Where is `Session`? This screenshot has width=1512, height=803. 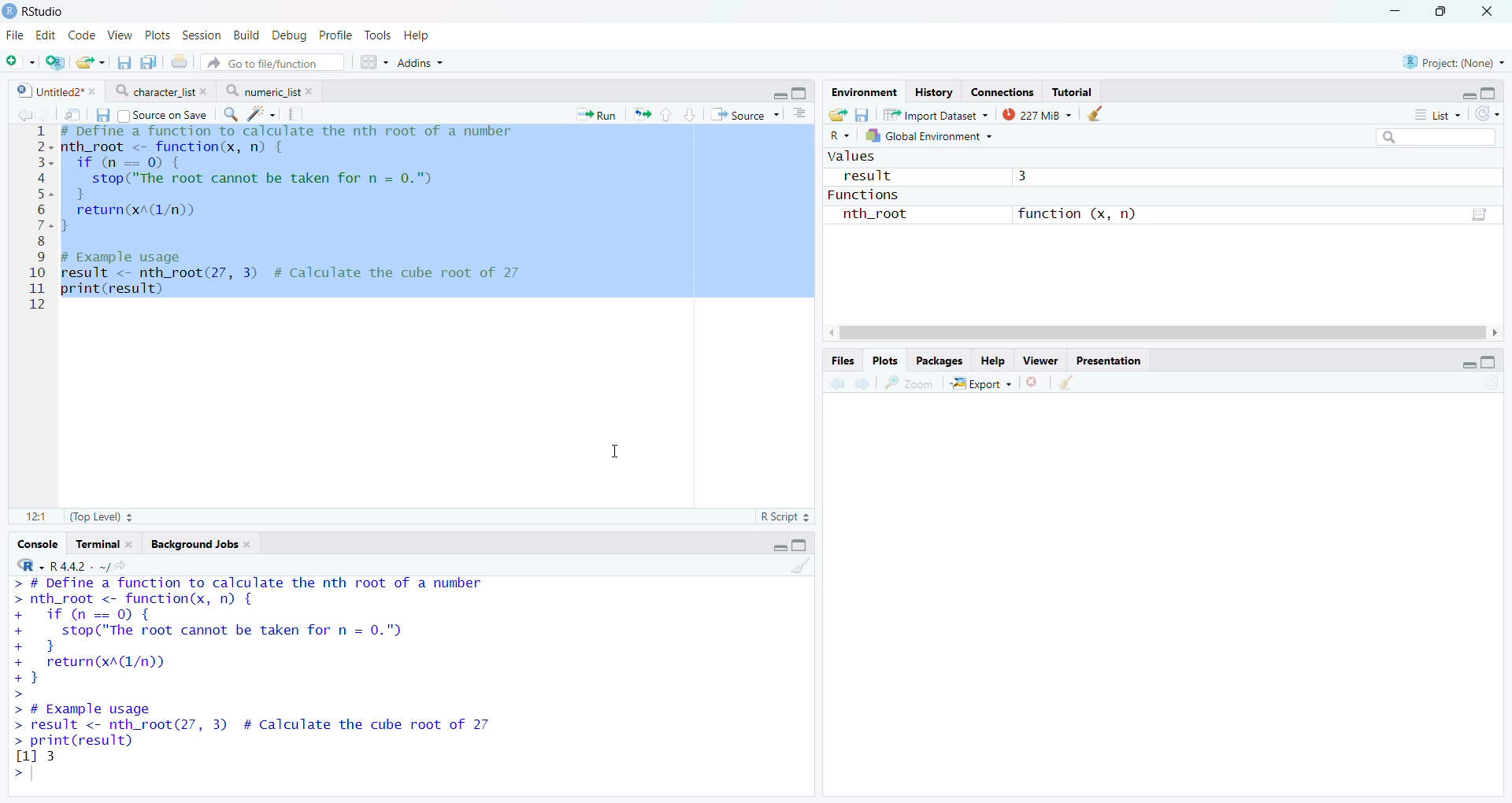
Session is located at coordinates (202, 34).